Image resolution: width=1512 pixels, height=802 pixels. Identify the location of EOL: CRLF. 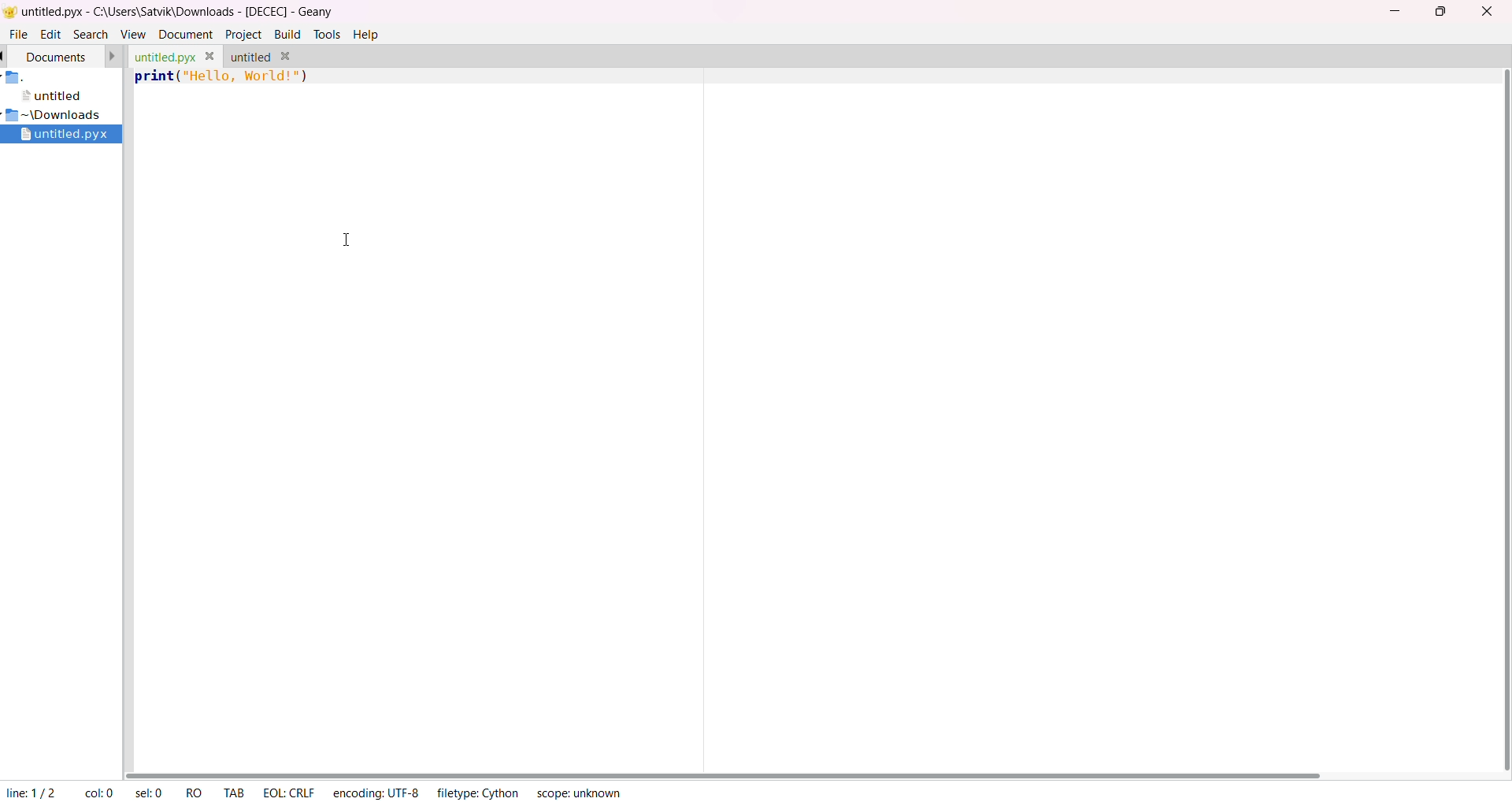
(287, 791).